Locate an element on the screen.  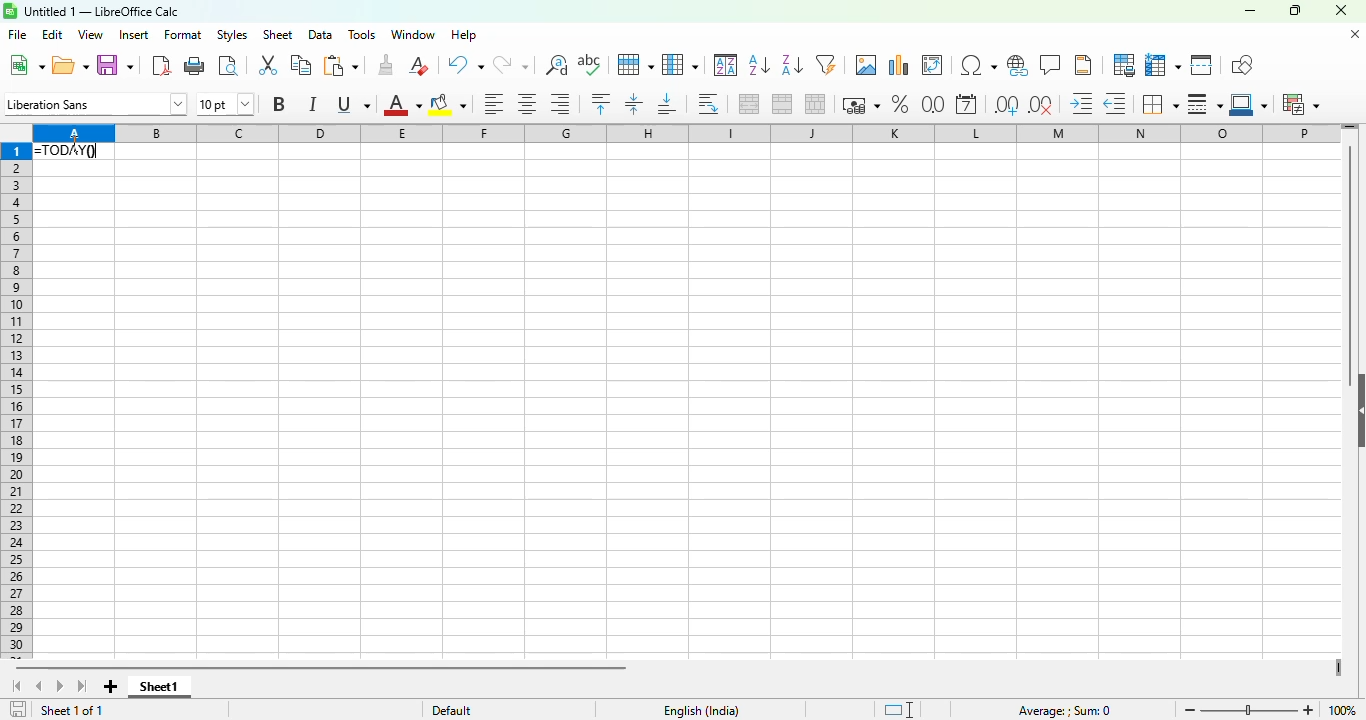
show draw functions is located at coordinates (1240, 64).